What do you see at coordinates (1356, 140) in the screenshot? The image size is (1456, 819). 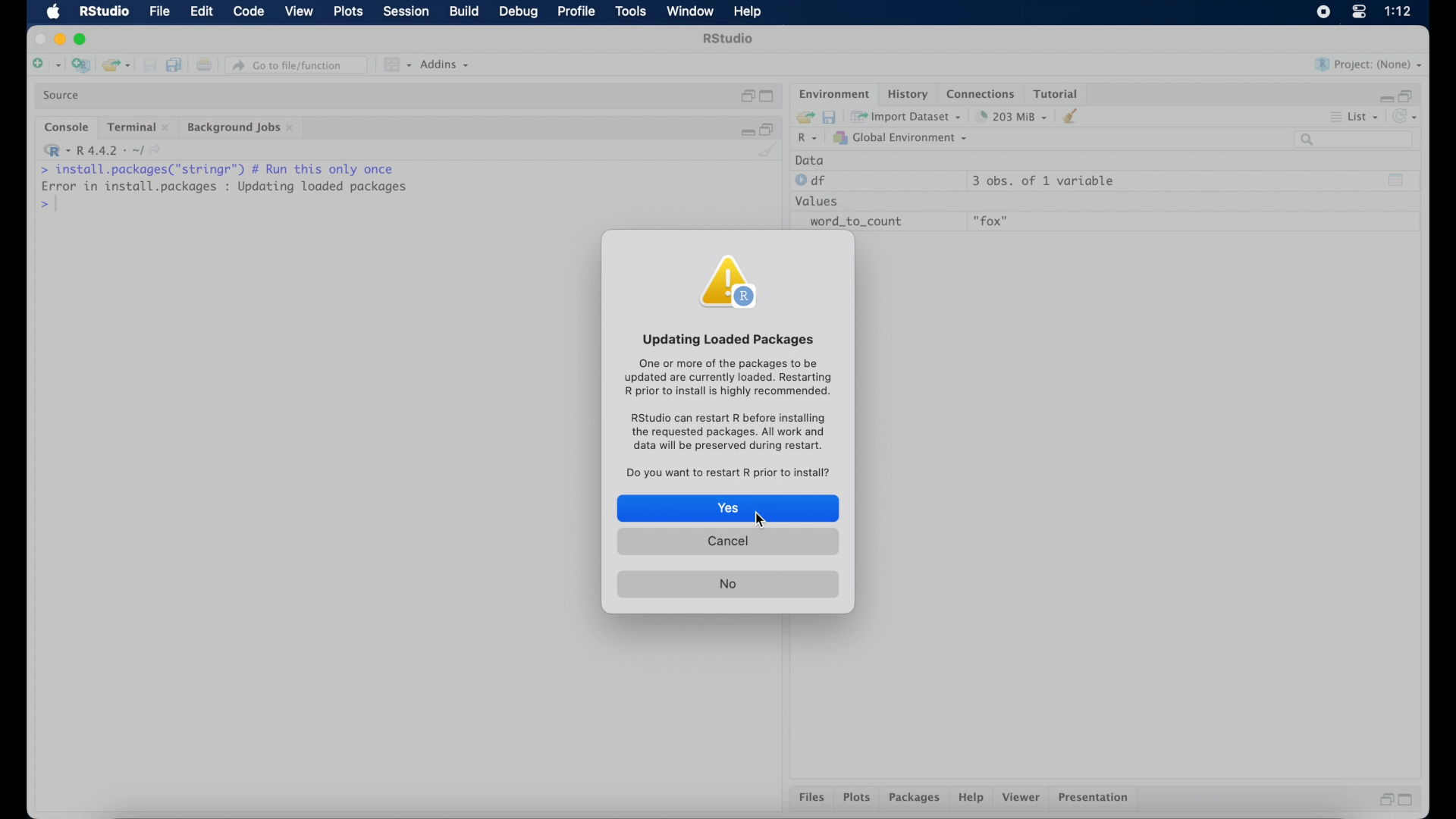 I see `search bar` at bounding box center [1356, 140].